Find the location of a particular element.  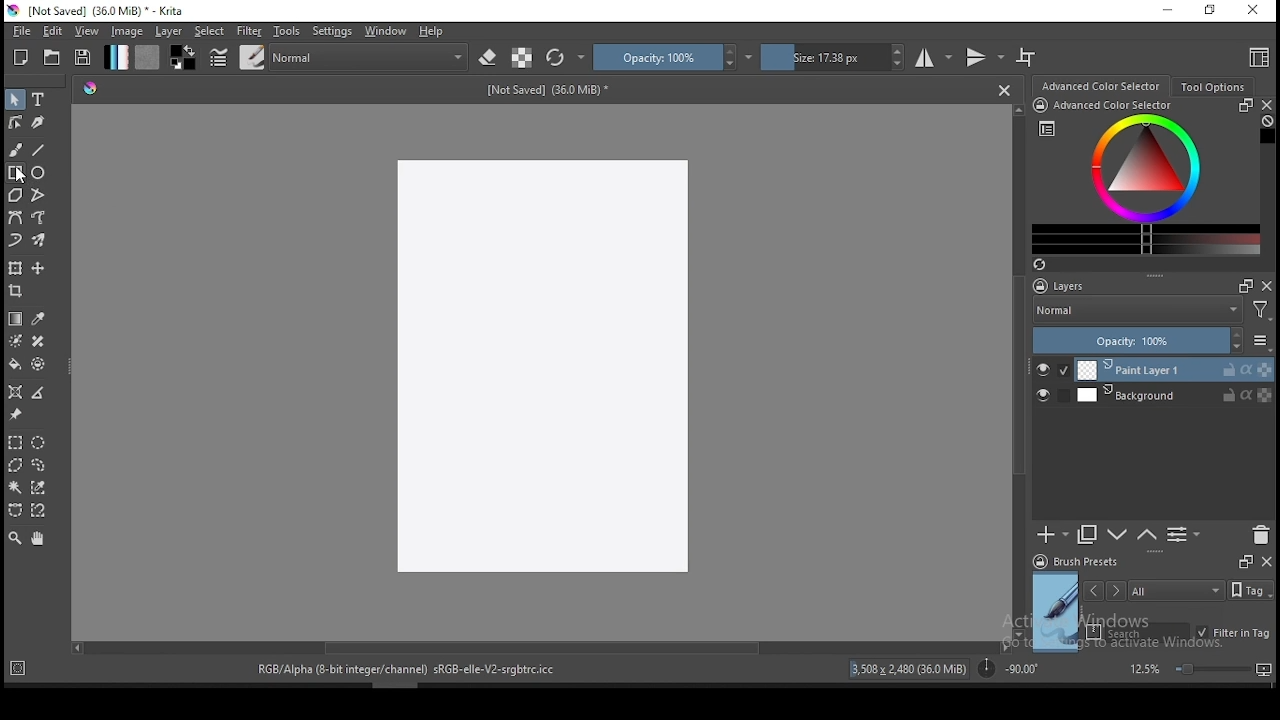

move layer one step down is located at coordinates (1147, 535).